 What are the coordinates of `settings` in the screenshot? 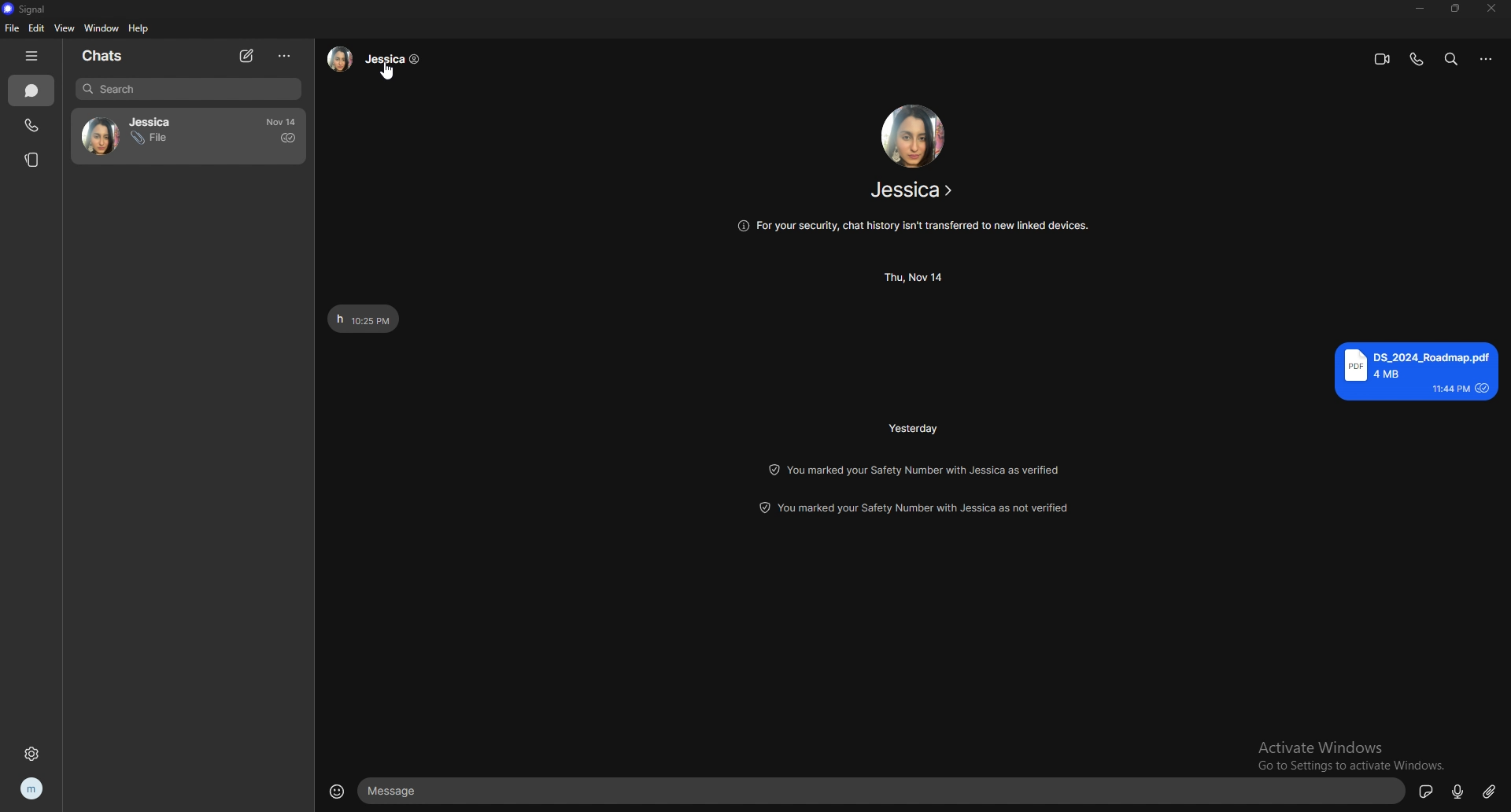 It's located at (34, 751).